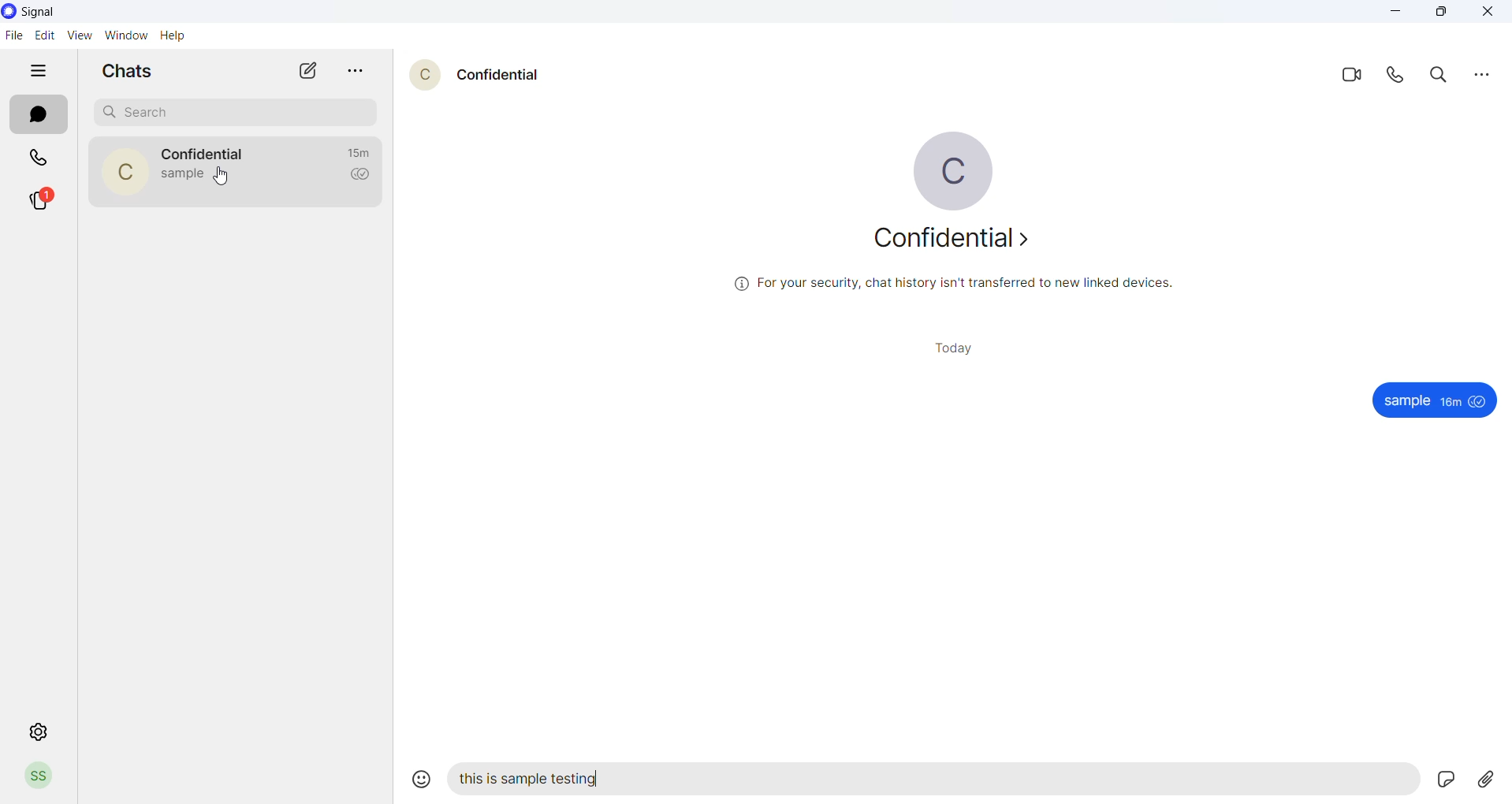 The height and width of the screenshot is (804, 1512). Describe the element at coordinates (362, 175) in the screenshot. I see `read recipient ` at that location.